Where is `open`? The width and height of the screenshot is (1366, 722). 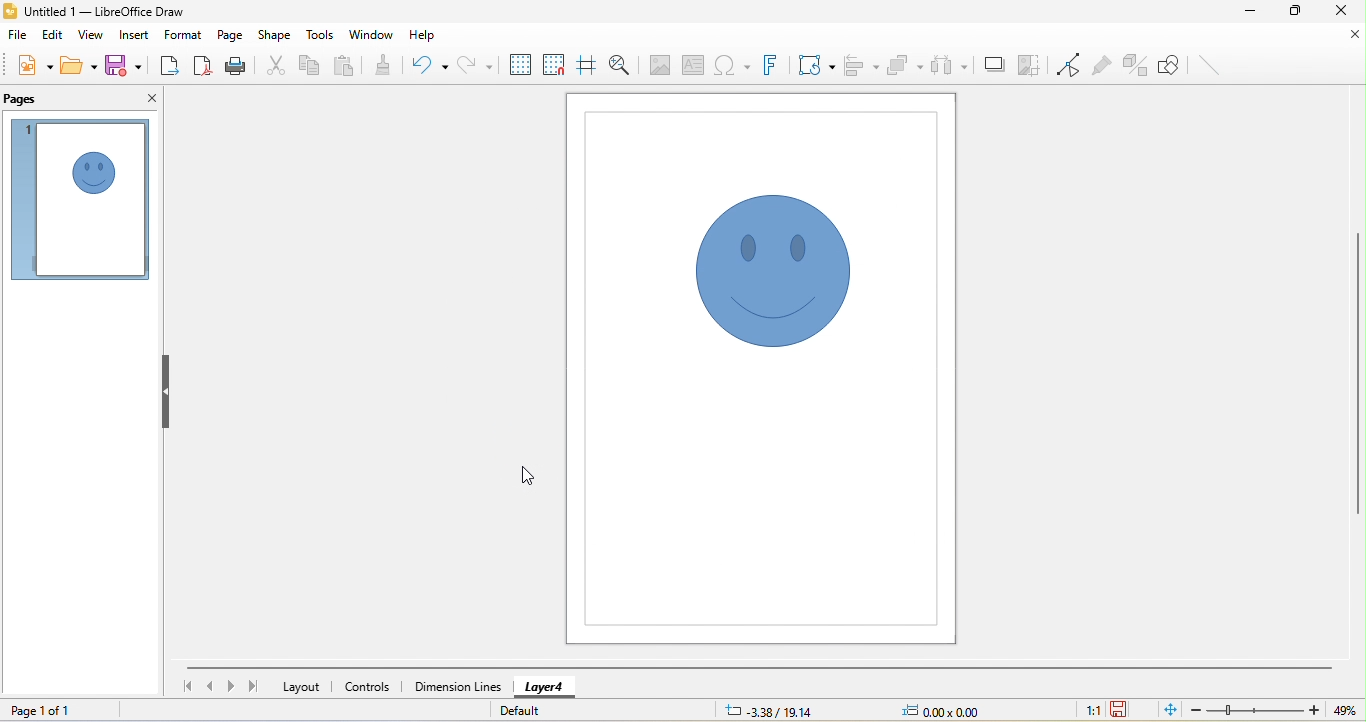 open is located at coordinates (78, 65).